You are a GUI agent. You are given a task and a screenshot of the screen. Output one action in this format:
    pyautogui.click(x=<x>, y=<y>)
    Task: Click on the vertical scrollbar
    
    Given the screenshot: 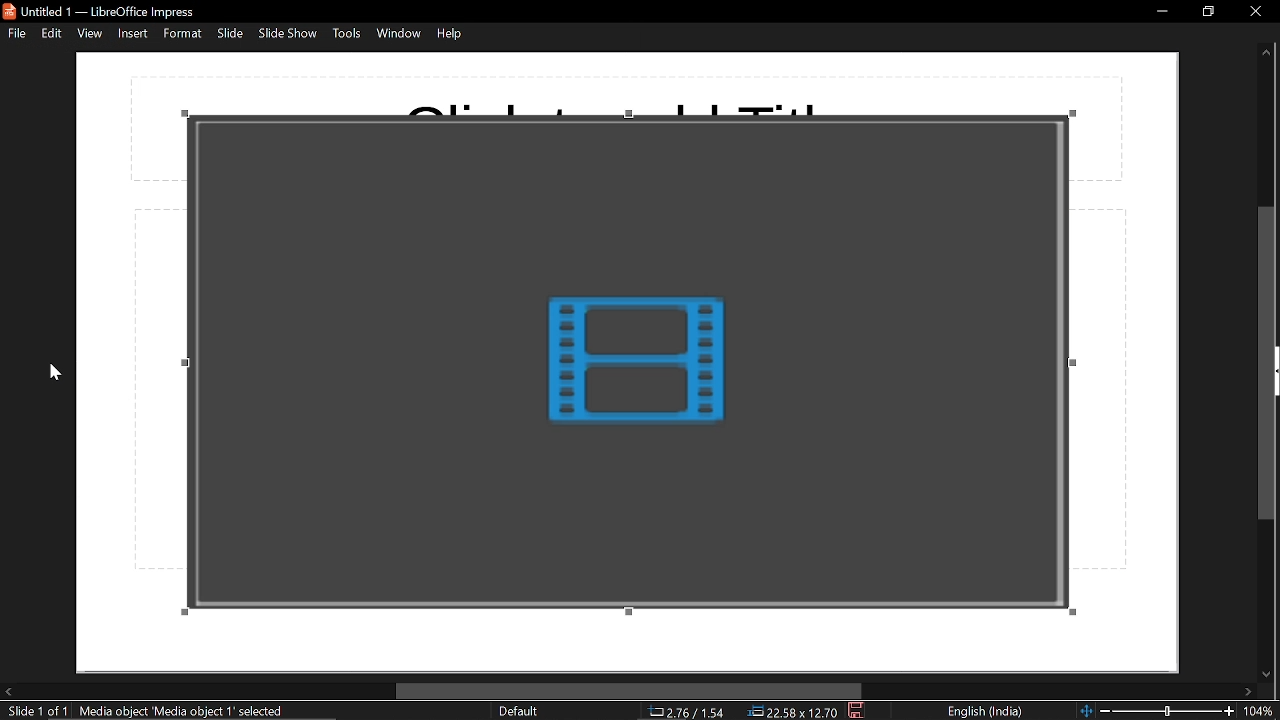 What is the action you would take?
    pyautogui.click(x=1270, y=361)
    